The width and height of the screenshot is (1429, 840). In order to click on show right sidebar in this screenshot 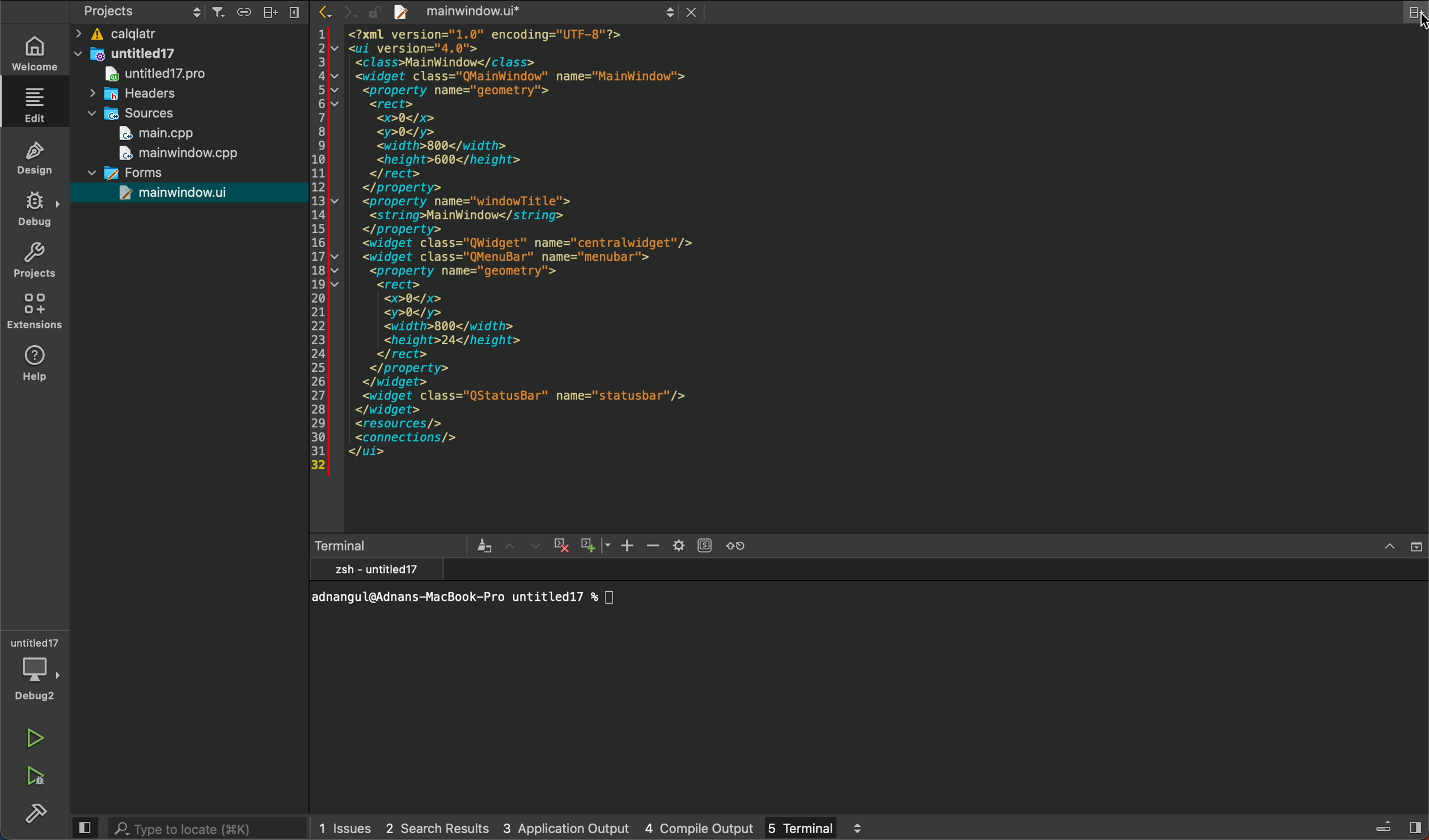, I will do `click(1415, 826)`.